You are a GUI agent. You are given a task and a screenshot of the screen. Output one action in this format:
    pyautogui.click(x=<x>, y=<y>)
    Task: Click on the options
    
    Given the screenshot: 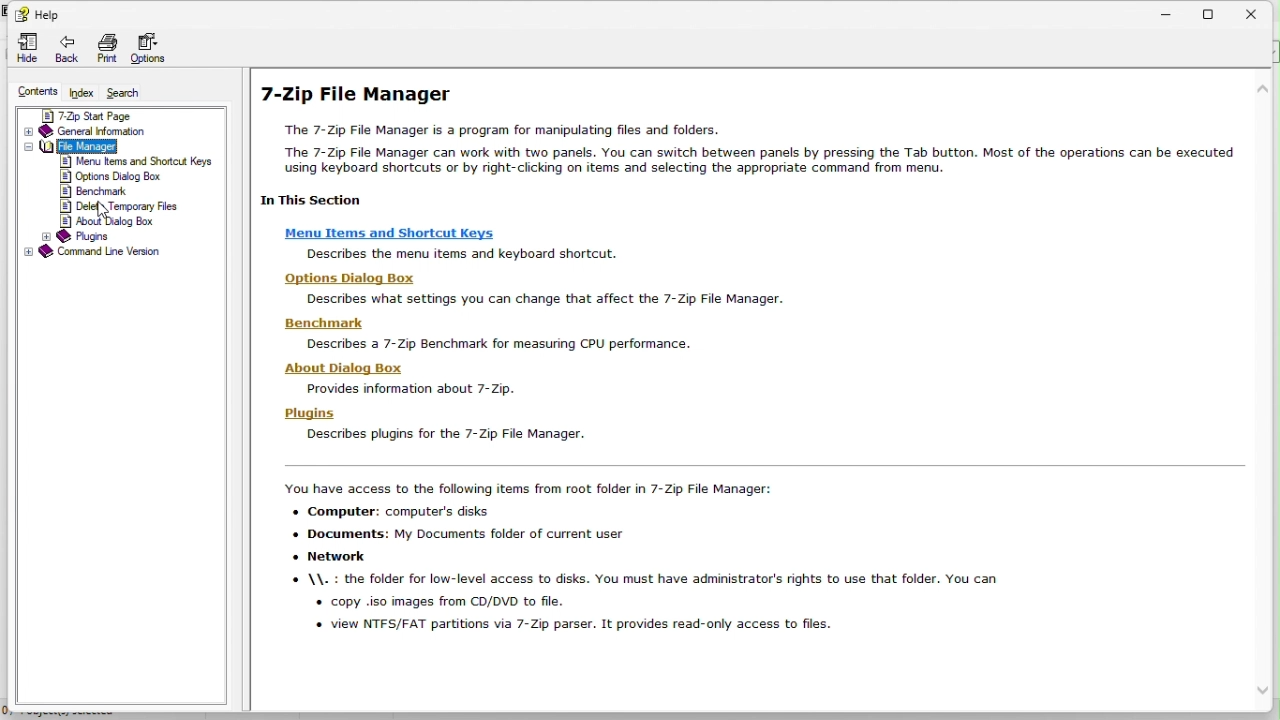 What is the action you would take?
    pyautogui.click(x=155, y=51)
    